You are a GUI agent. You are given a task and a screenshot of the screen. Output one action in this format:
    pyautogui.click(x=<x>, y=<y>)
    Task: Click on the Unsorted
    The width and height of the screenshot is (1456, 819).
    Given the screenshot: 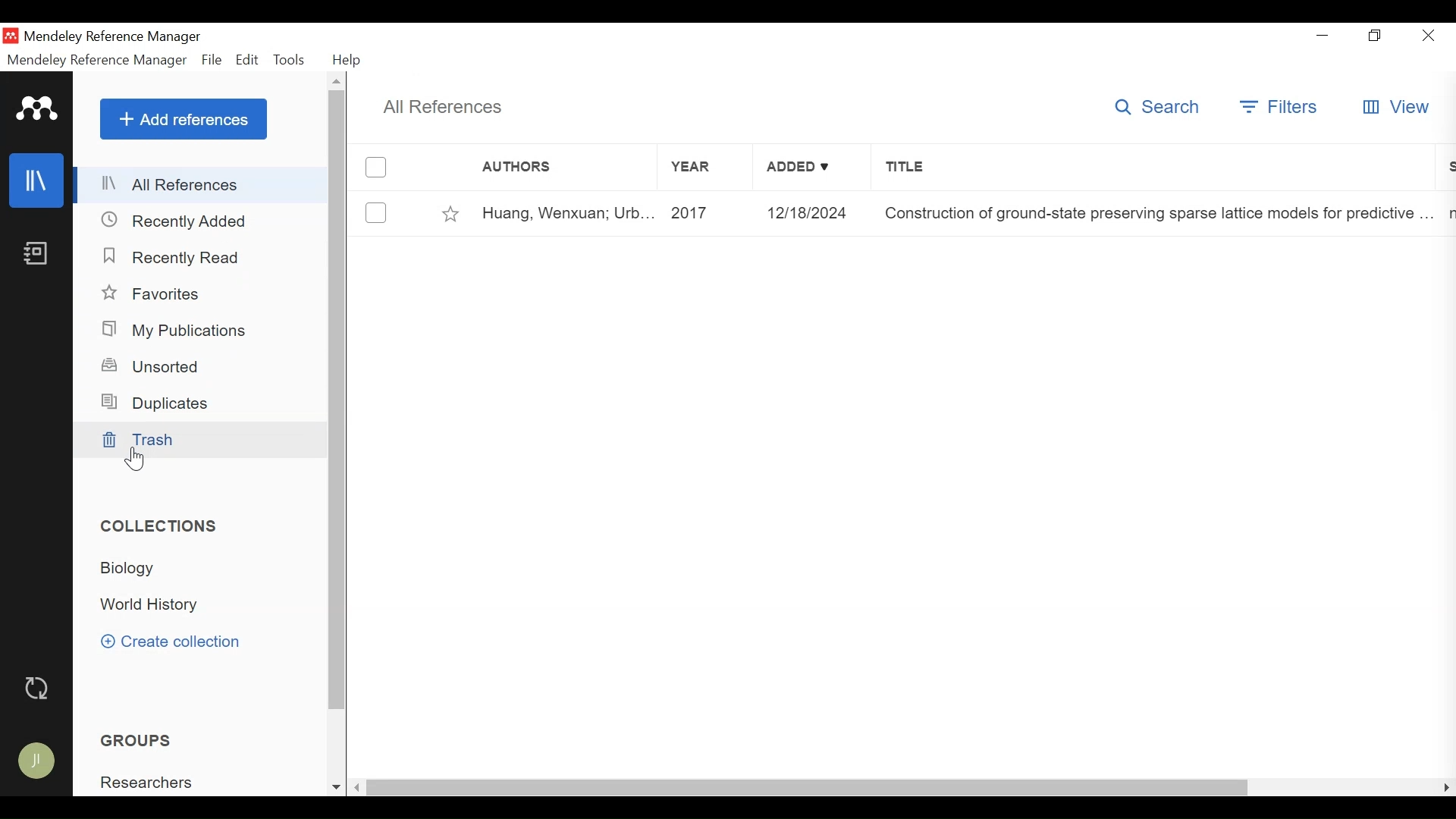 What is the action you would take?
    pyautogui.click(x=157, y=365)
    